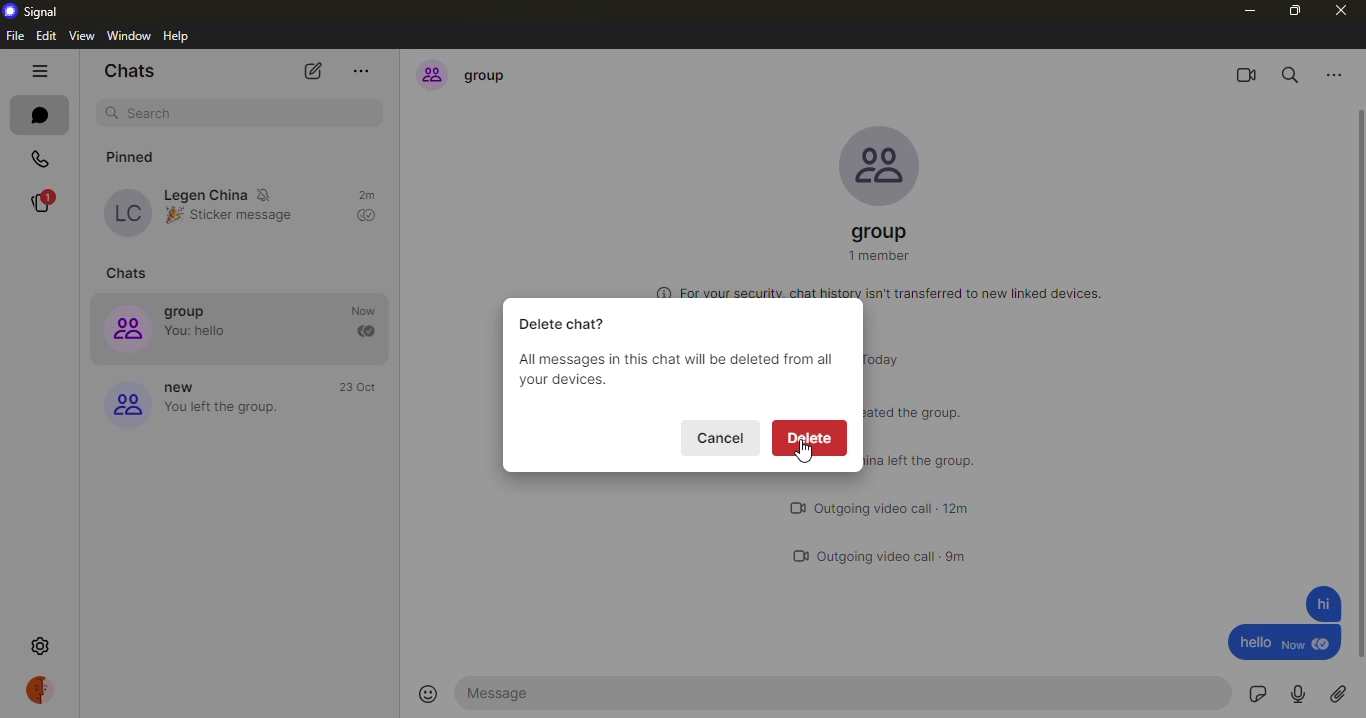 The width and height of the screenshot is (1366, 718). I want to click on search, so click(1292, 77).